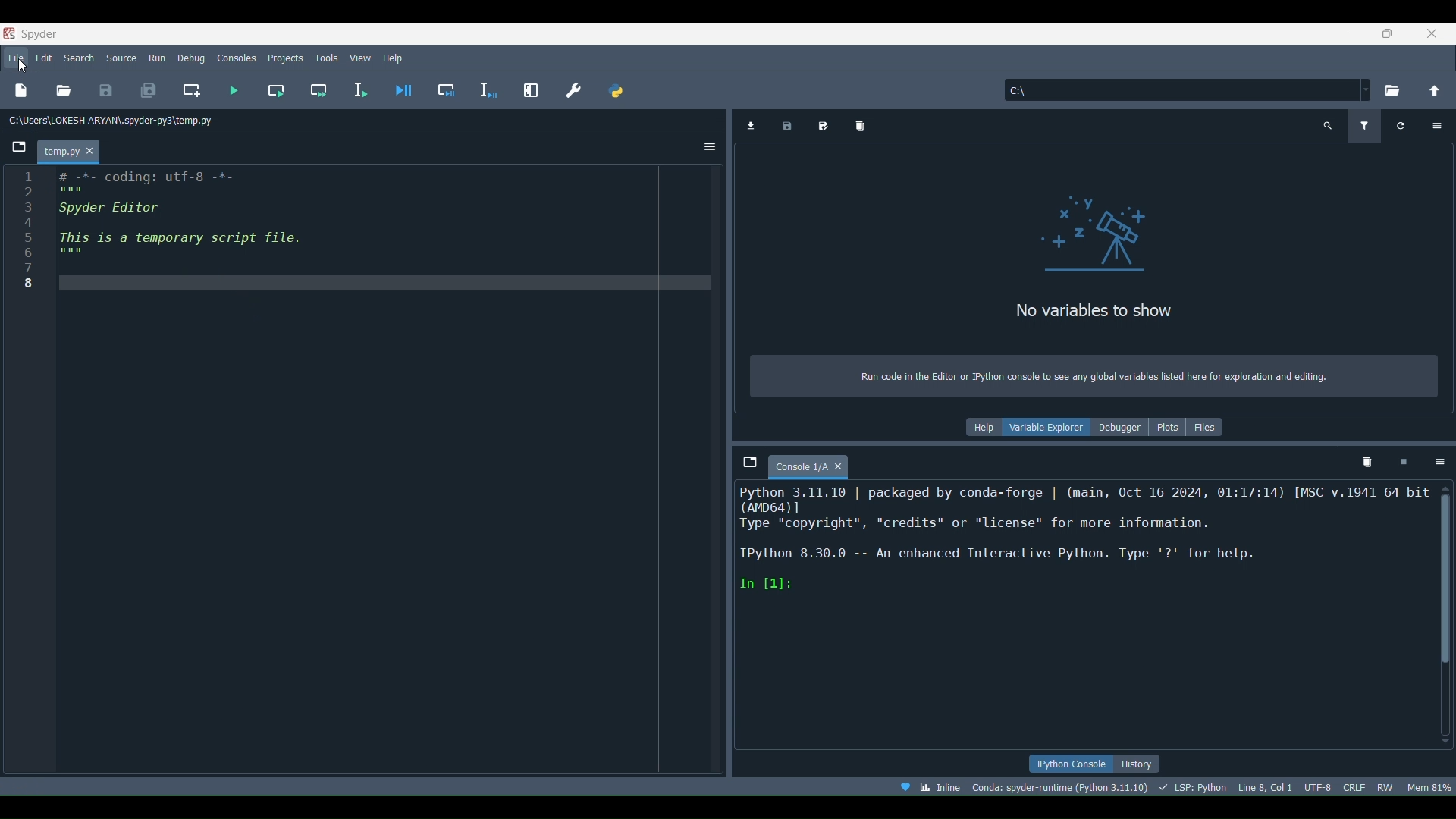 The height and width of the screenshot is (819, 1456). Describe the element at coordinates (749, 464) in the screenshot. I see `Browse tabs` at that location.